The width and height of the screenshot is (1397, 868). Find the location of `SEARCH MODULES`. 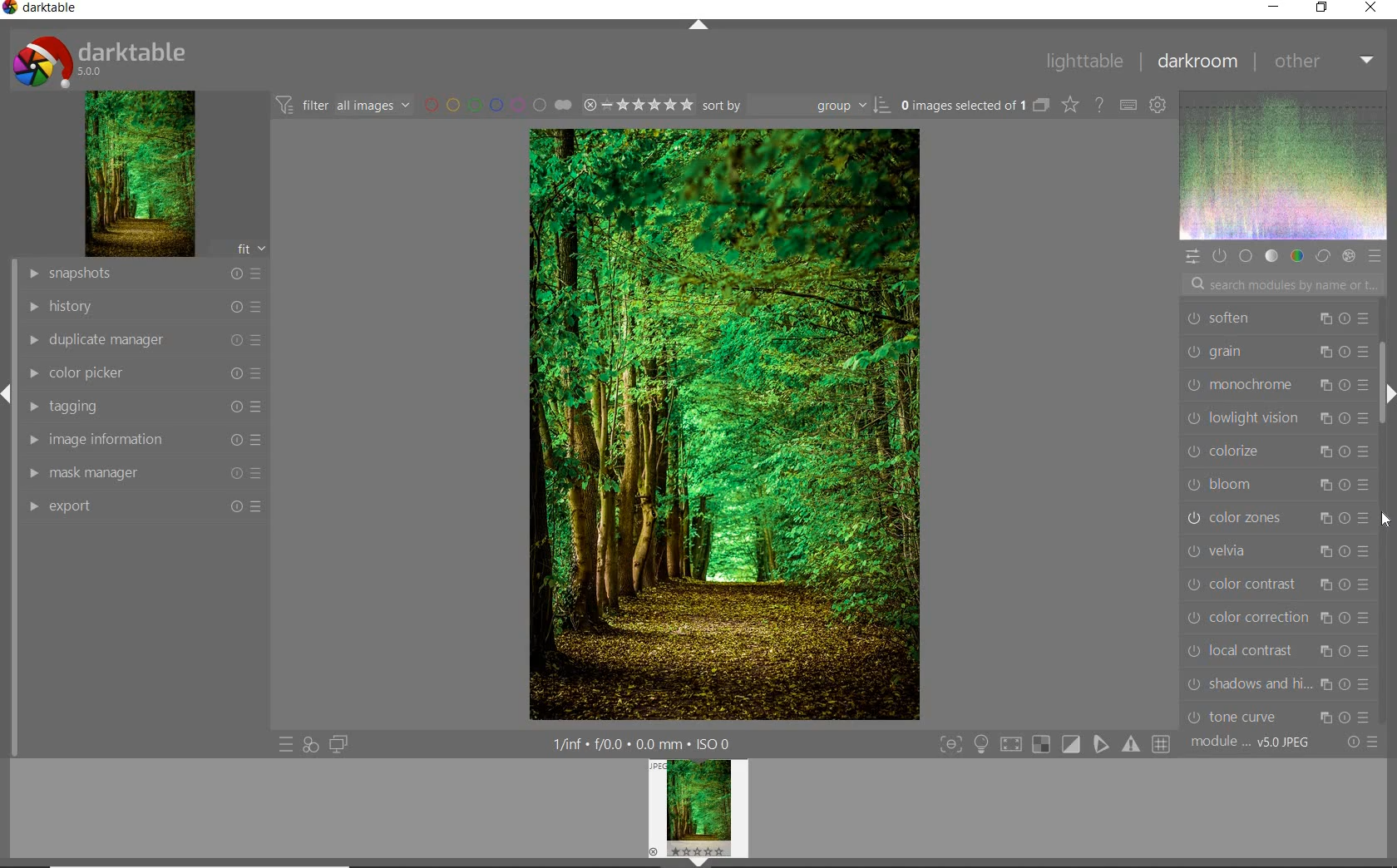

SEARCH MODULES is located at coordinates (1283, 284).